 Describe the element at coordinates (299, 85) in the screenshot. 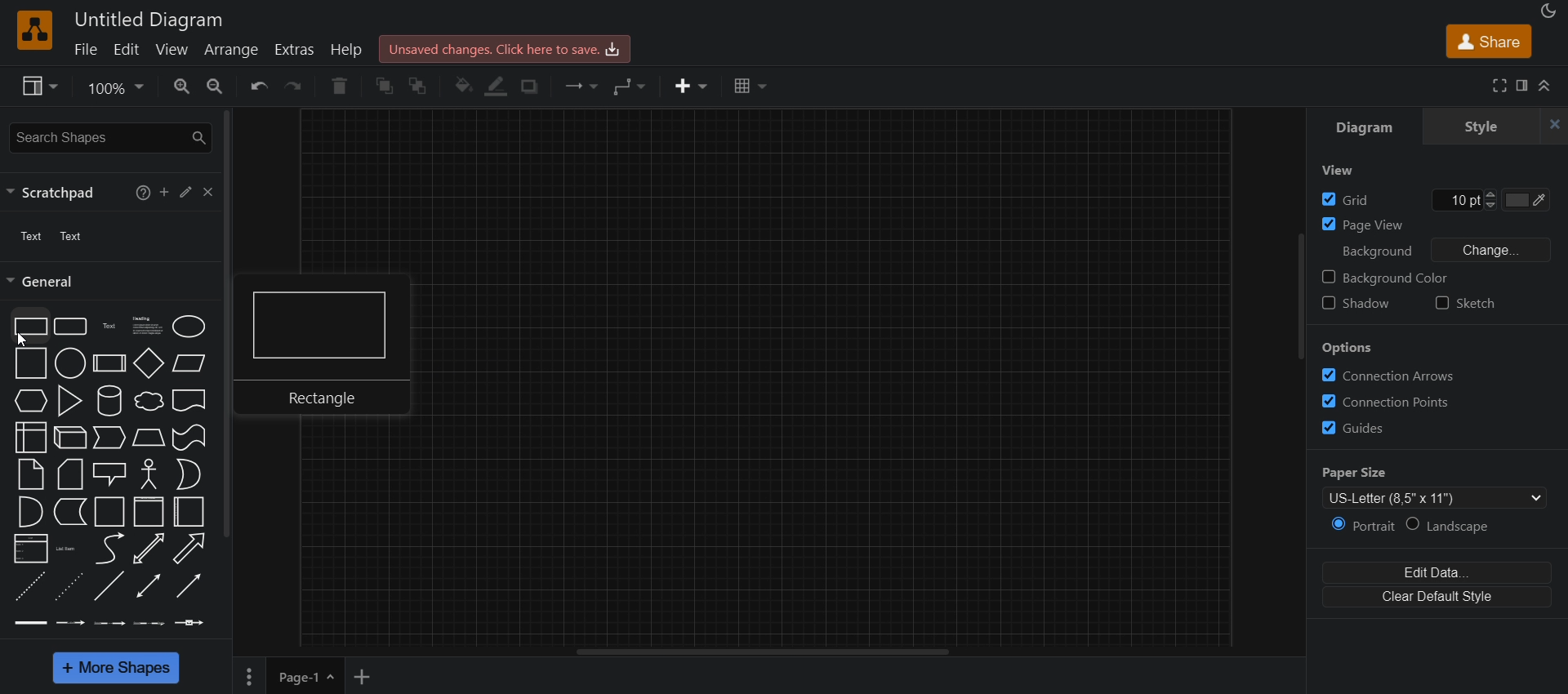

I see `redo` at that location.